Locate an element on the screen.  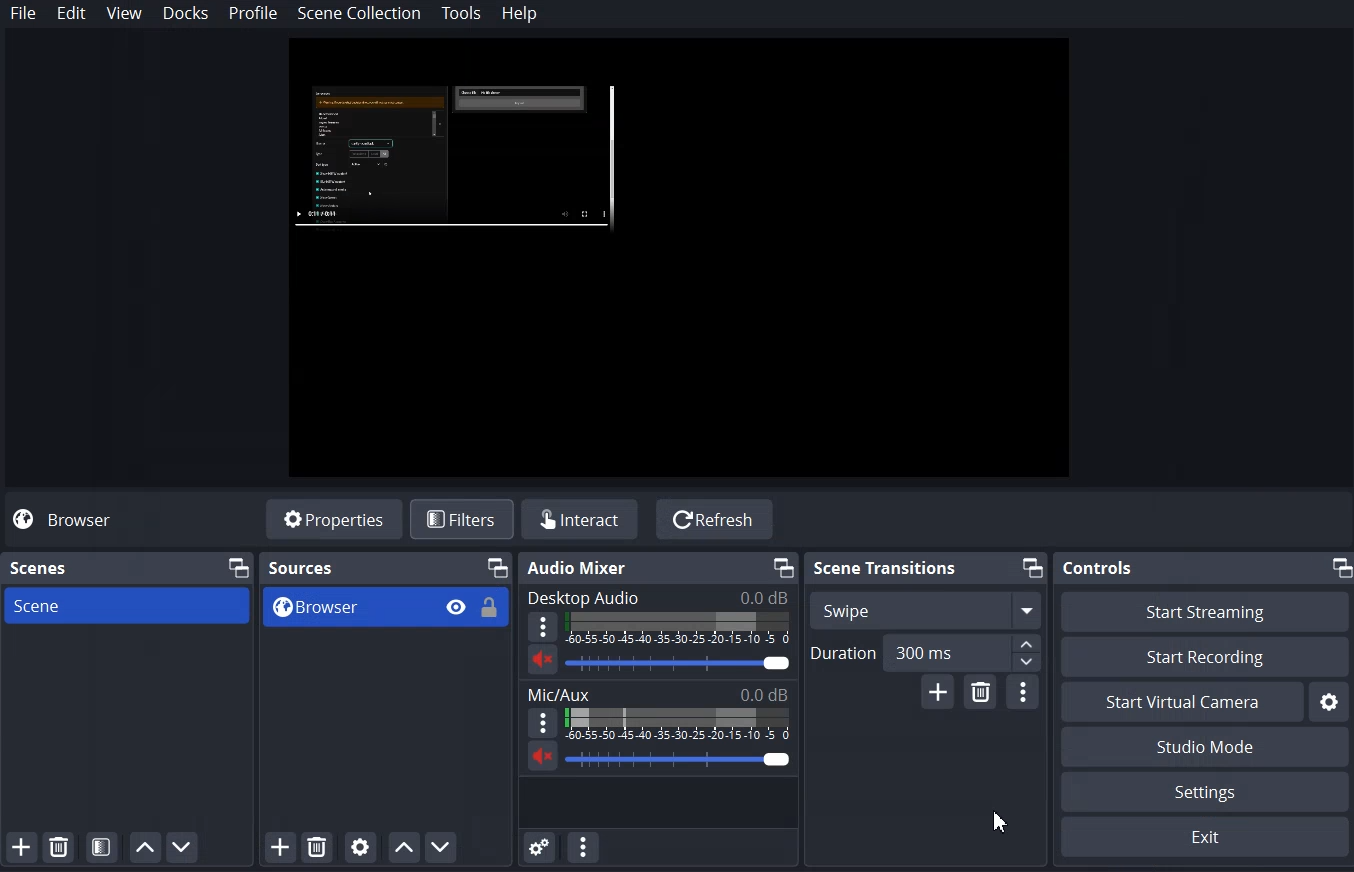
Interact is located at coordinates (577, 518).